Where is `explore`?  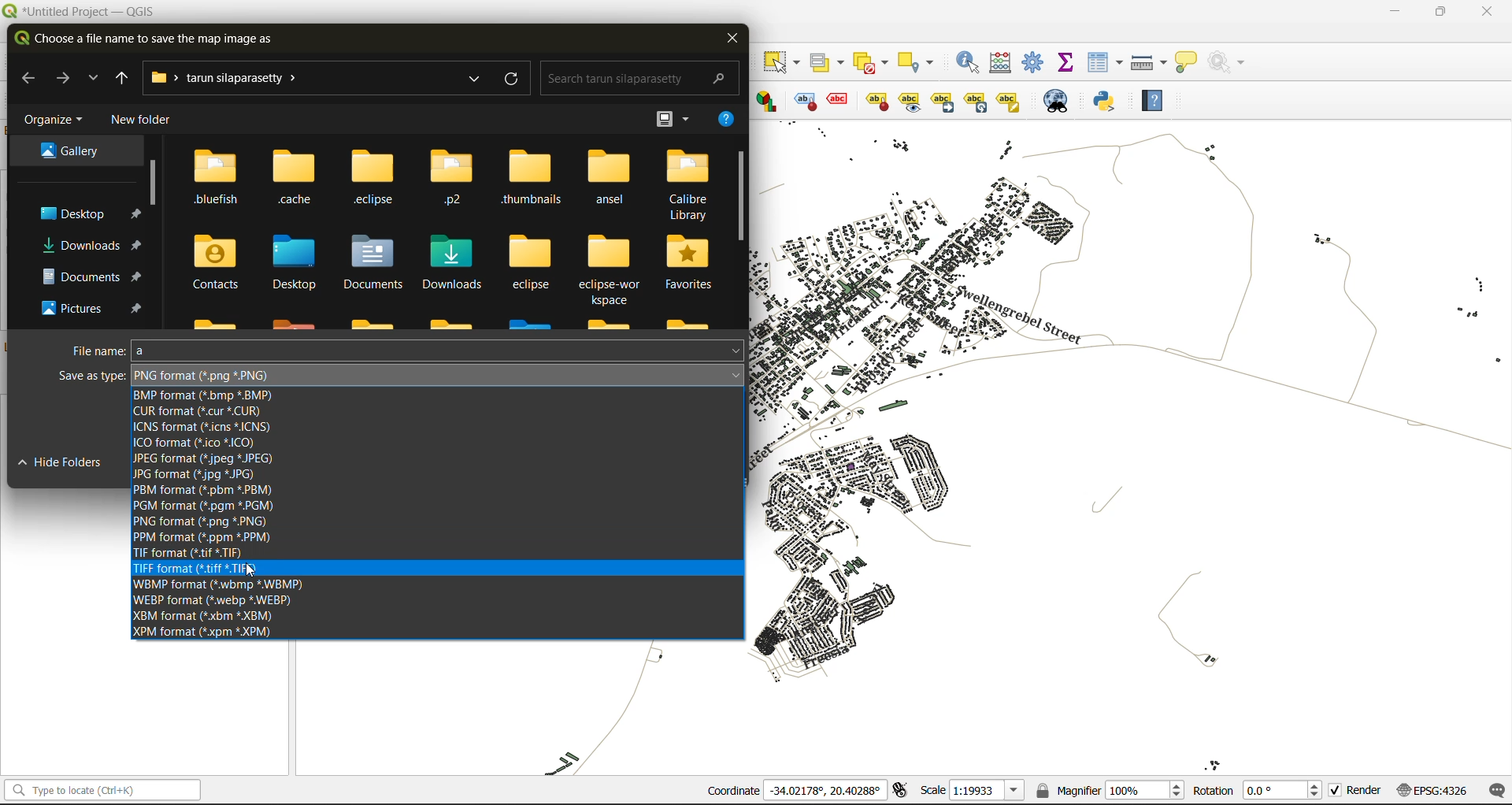
explore is located at coordinates (94, 80).